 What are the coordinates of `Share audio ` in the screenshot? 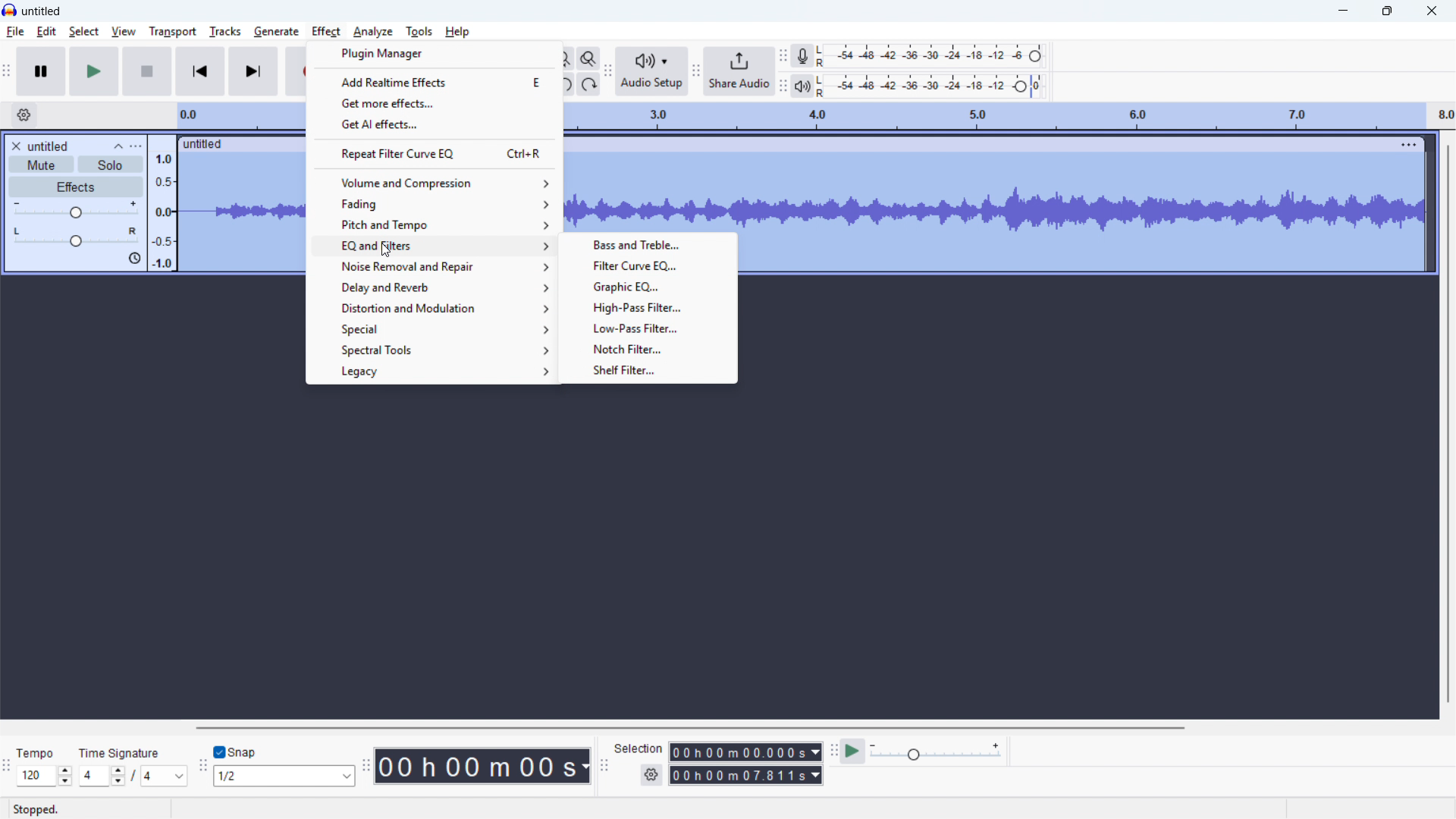 It's located at (738, 71).